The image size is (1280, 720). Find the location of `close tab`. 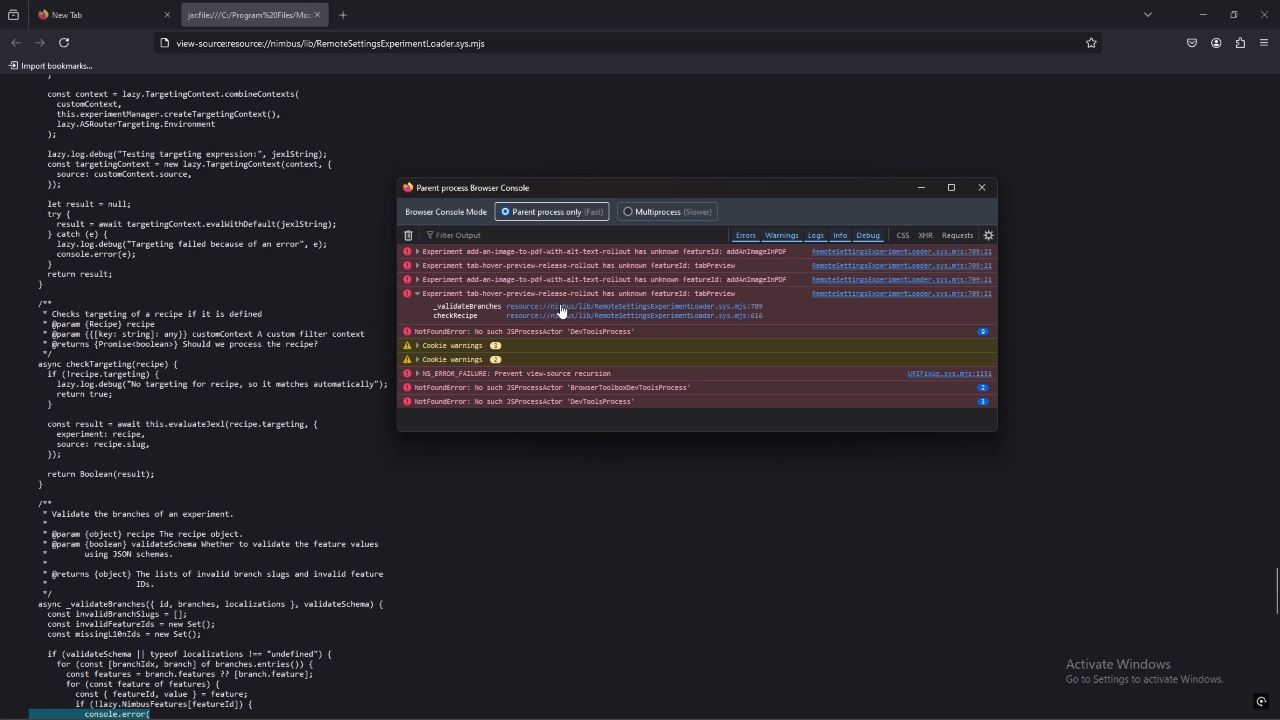

close tab is located at coordinates (316, 15).